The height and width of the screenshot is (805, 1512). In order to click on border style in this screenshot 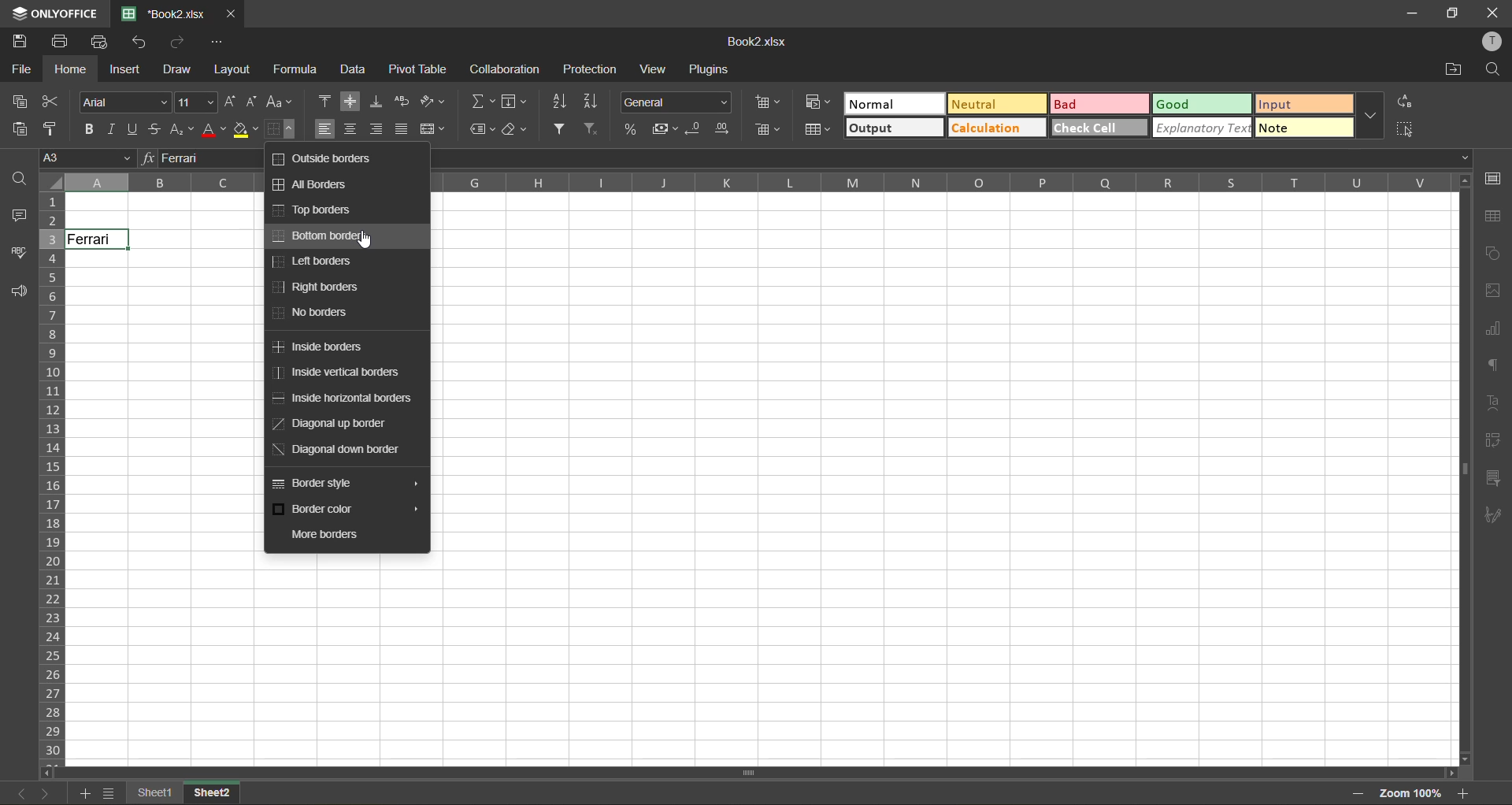, I will do `click(346, 484)`.